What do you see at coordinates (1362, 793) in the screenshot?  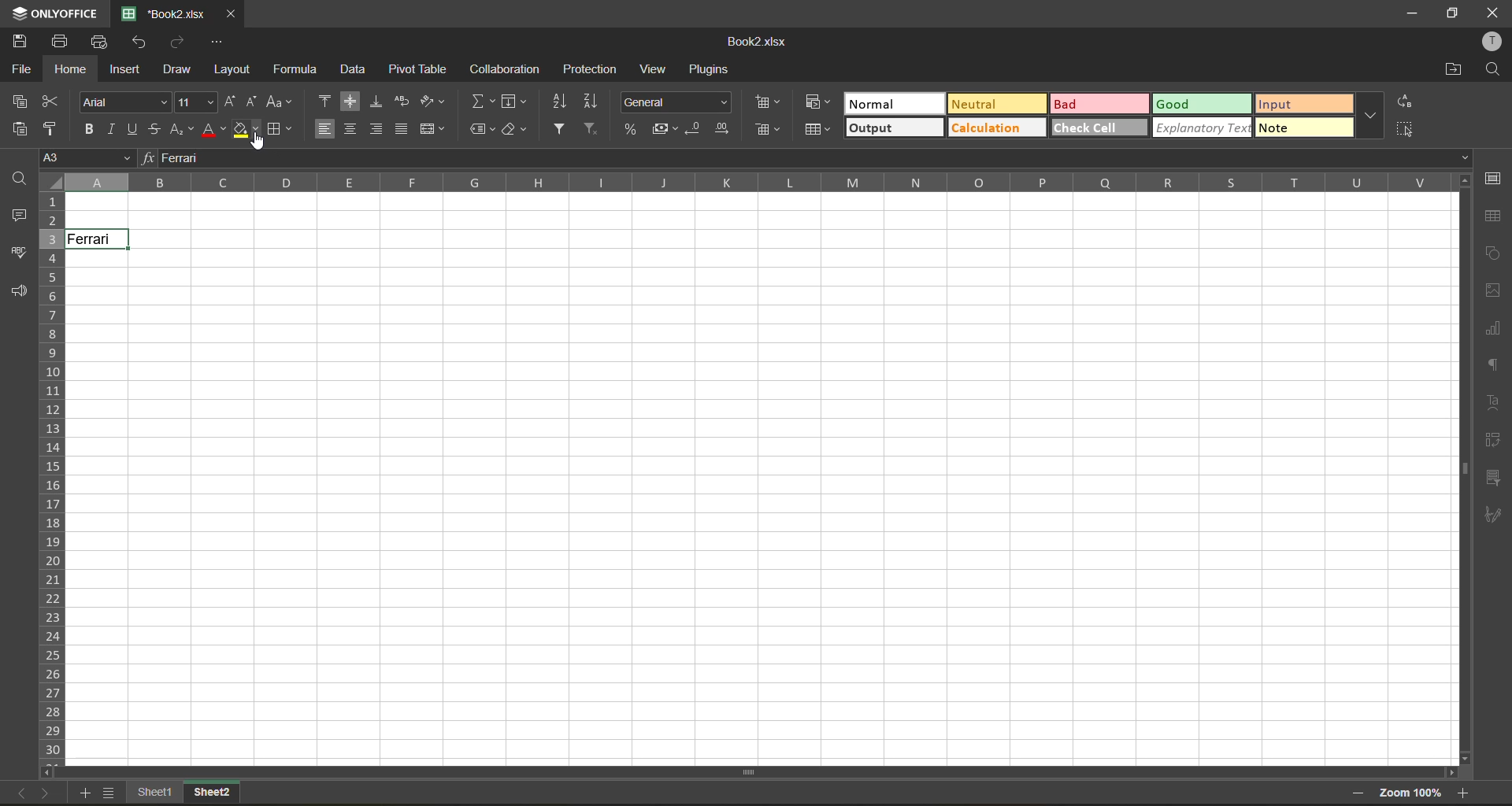 I see `zoom out` at bounding box center [1362, 793].